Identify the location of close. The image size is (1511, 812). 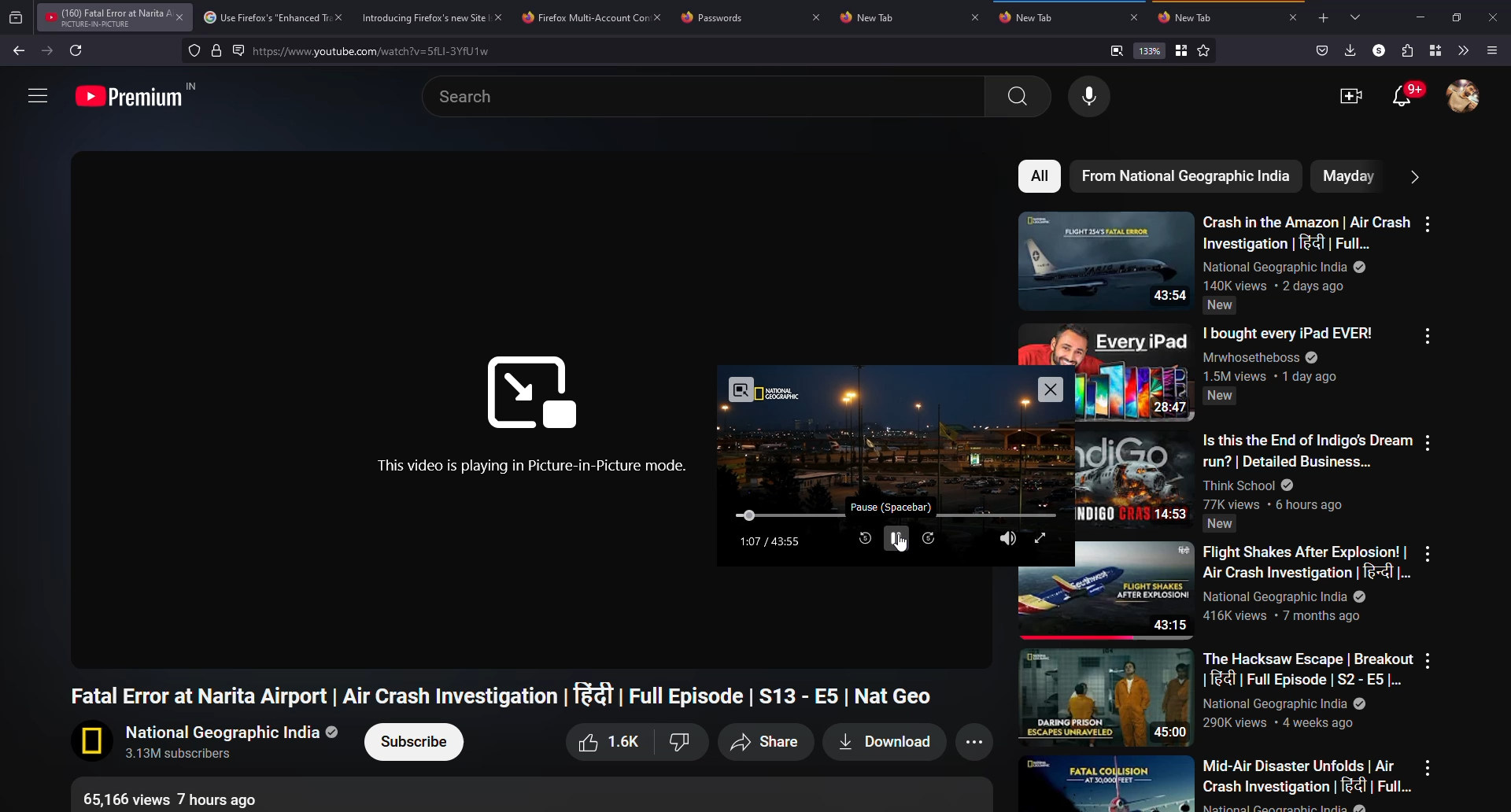
(179, 17).